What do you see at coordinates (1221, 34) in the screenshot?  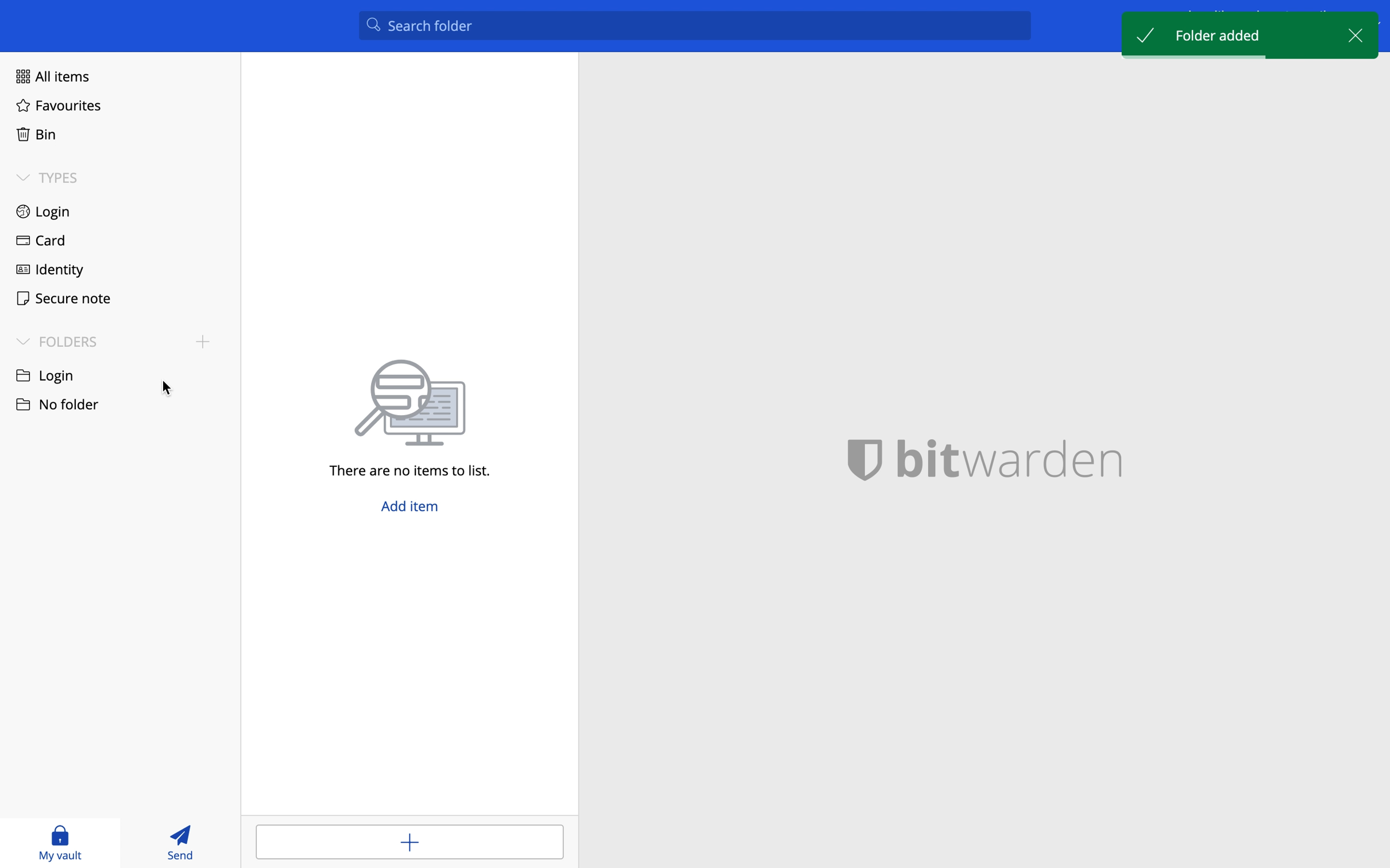 I see `folder added` at bounding box center [1221, 34].